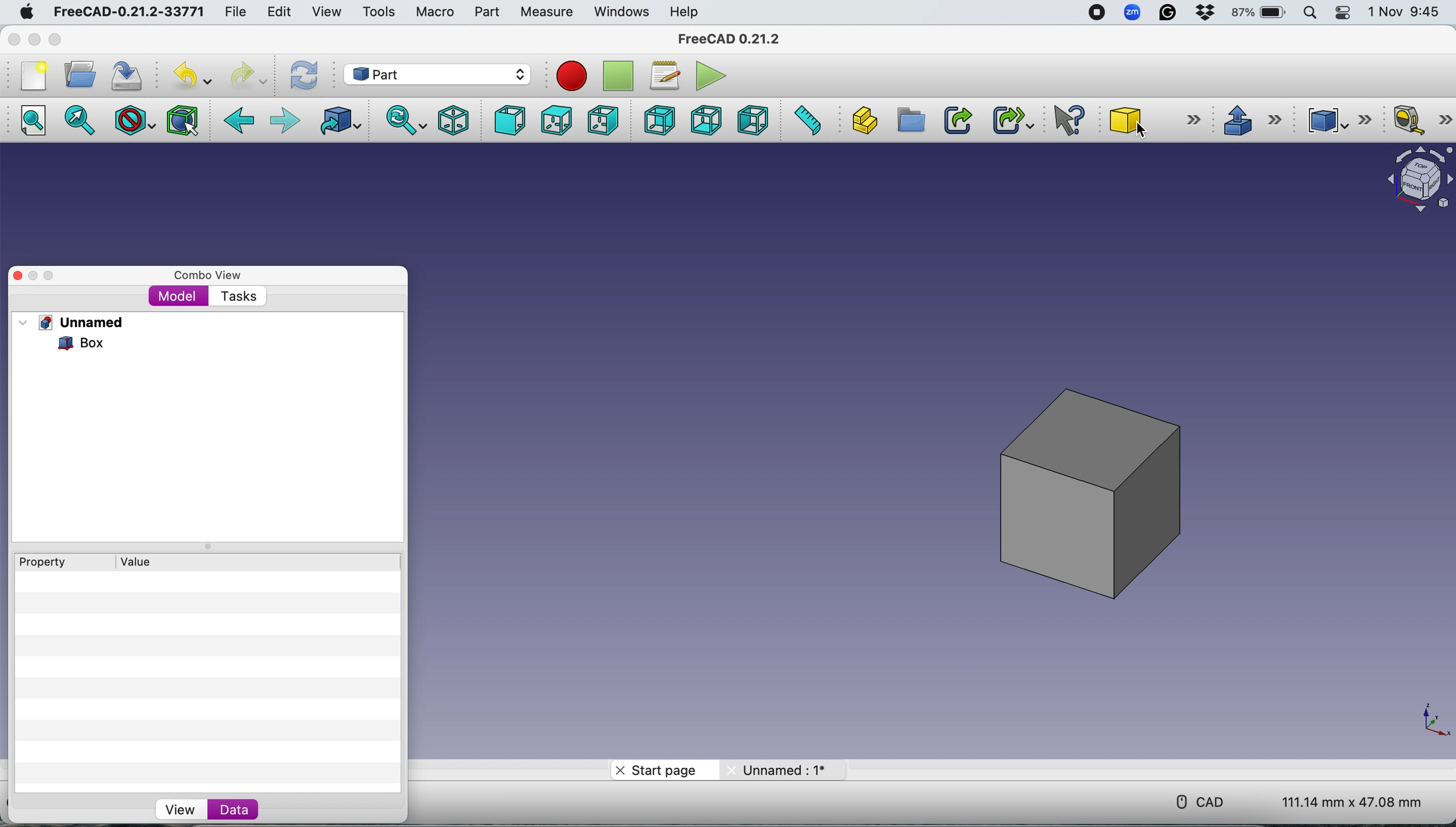 The height and width of the screenshot is (827, 1456). I want to click on Right, so click(603, 122).